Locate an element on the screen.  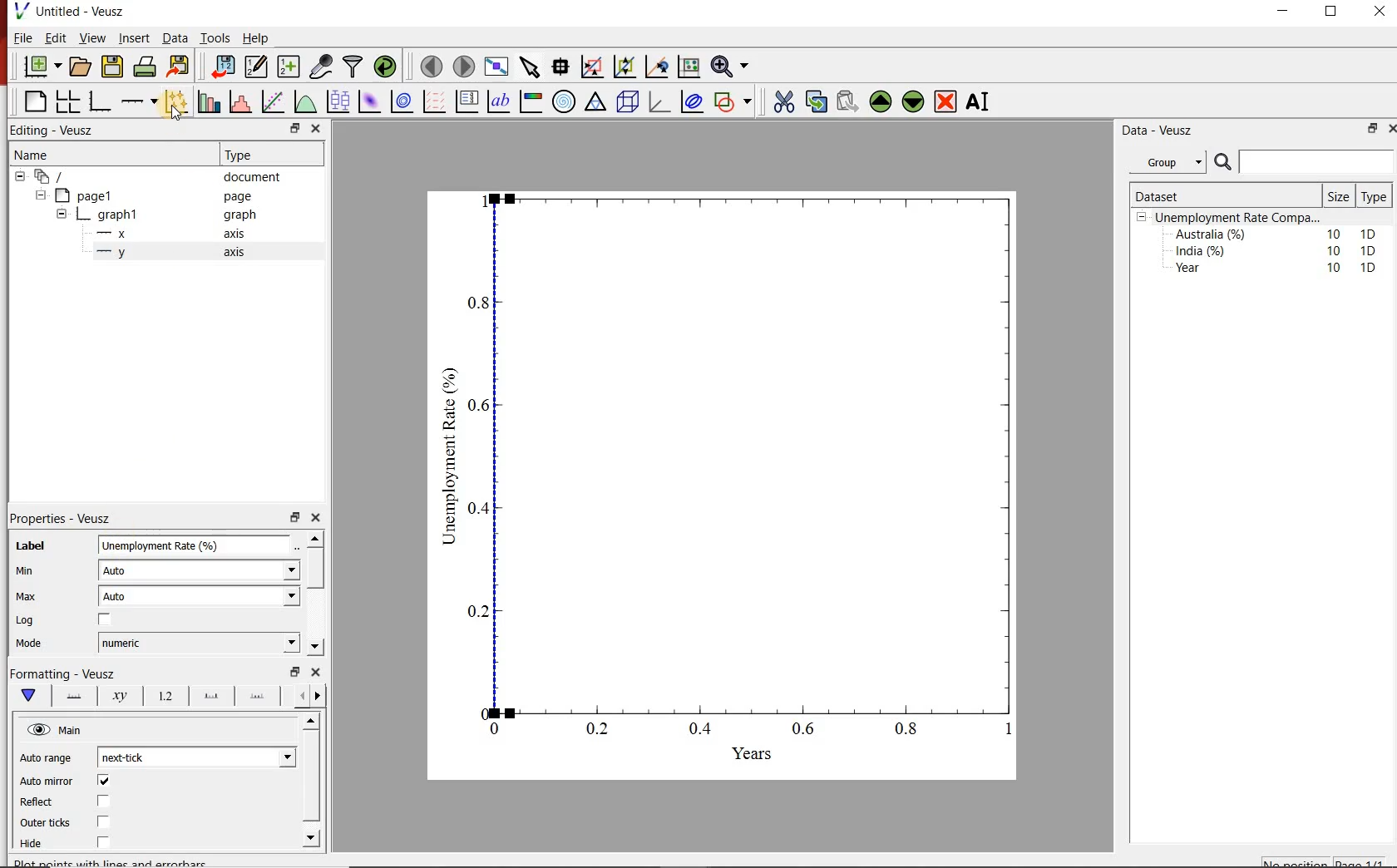
polar graph is located at coordinates (565, 102).